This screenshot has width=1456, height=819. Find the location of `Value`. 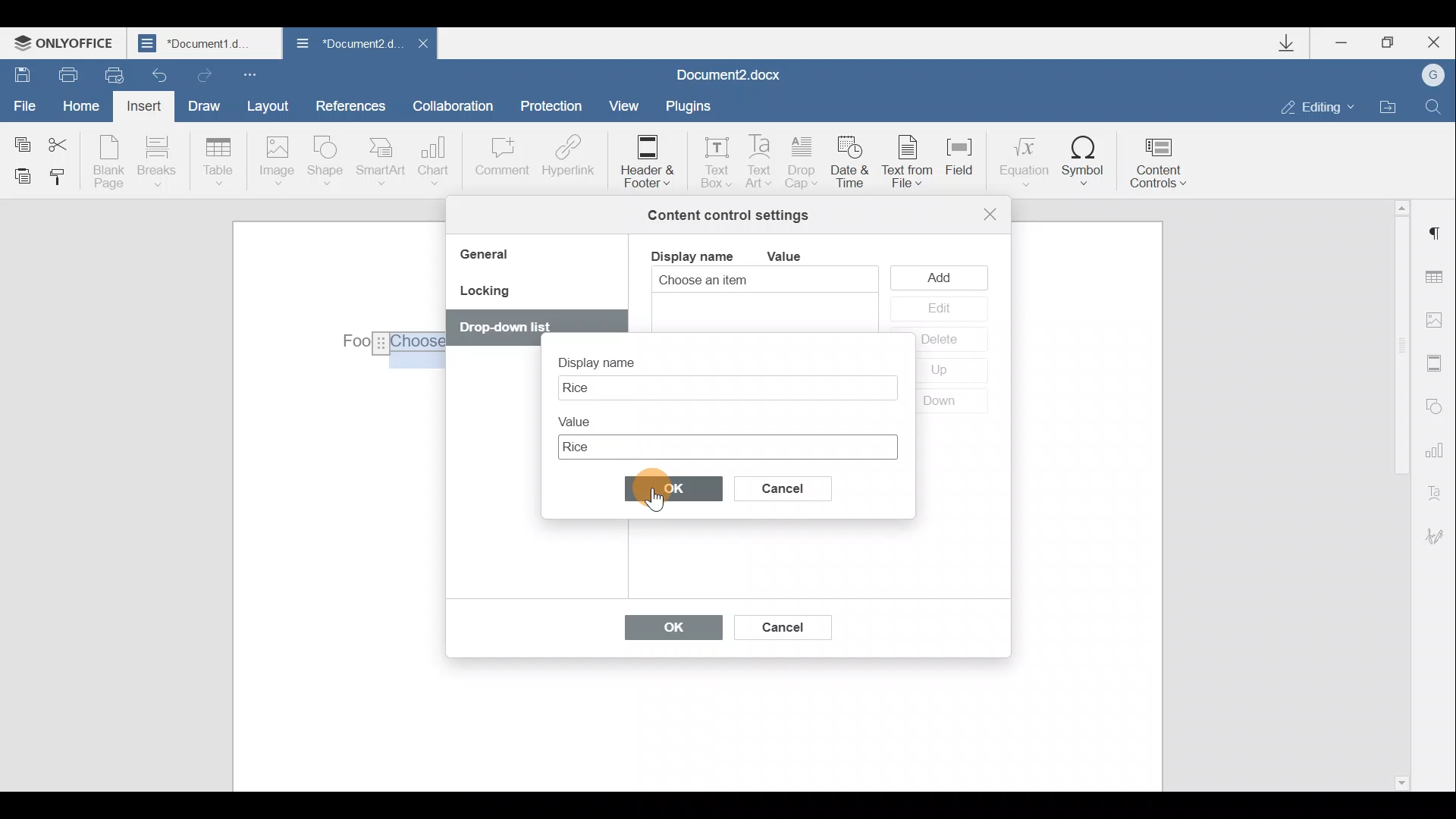

Value is located at coordinates (581, 419).